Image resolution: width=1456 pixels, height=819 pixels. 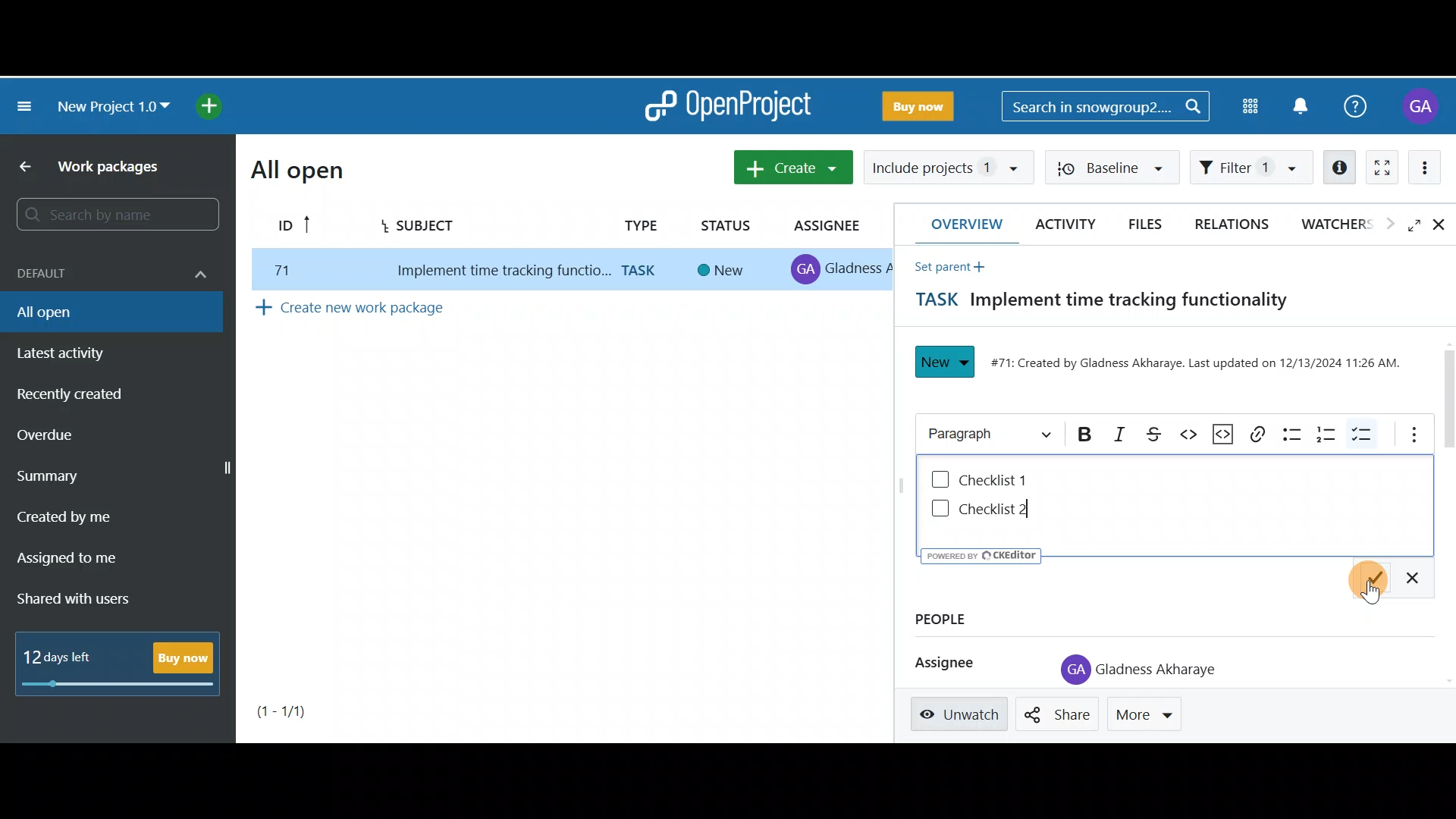 What do you see at coordinates (82, 598) in the screenshot?
I see `Shared with users` at bounding box center [82, 598].